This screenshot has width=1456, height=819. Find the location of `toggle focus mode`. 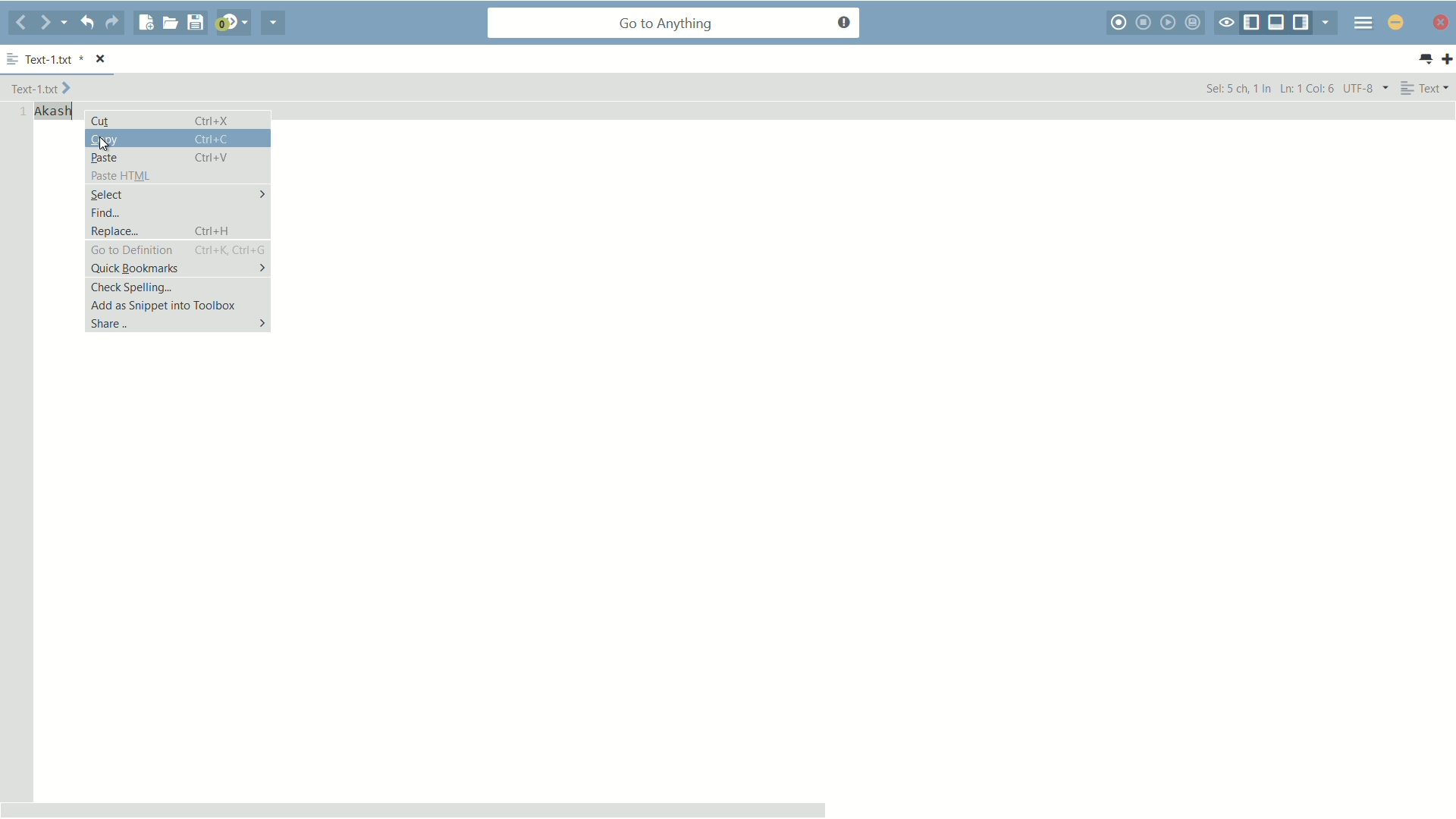

toggle focus mode is located at coordinates (1226, 24).